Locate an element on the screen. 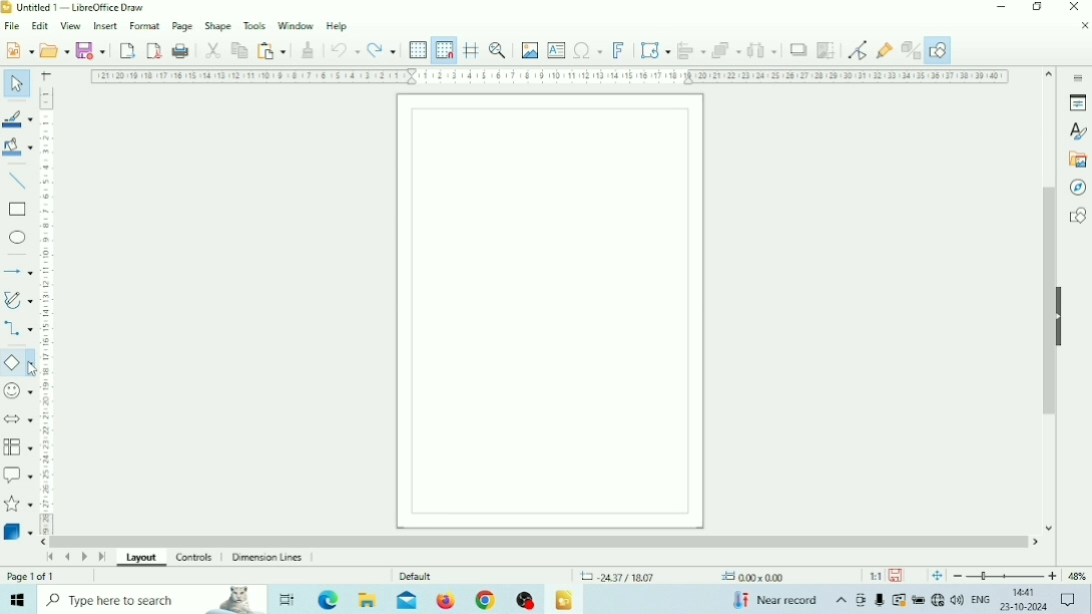  Mail is located at coordinates (407, 600).